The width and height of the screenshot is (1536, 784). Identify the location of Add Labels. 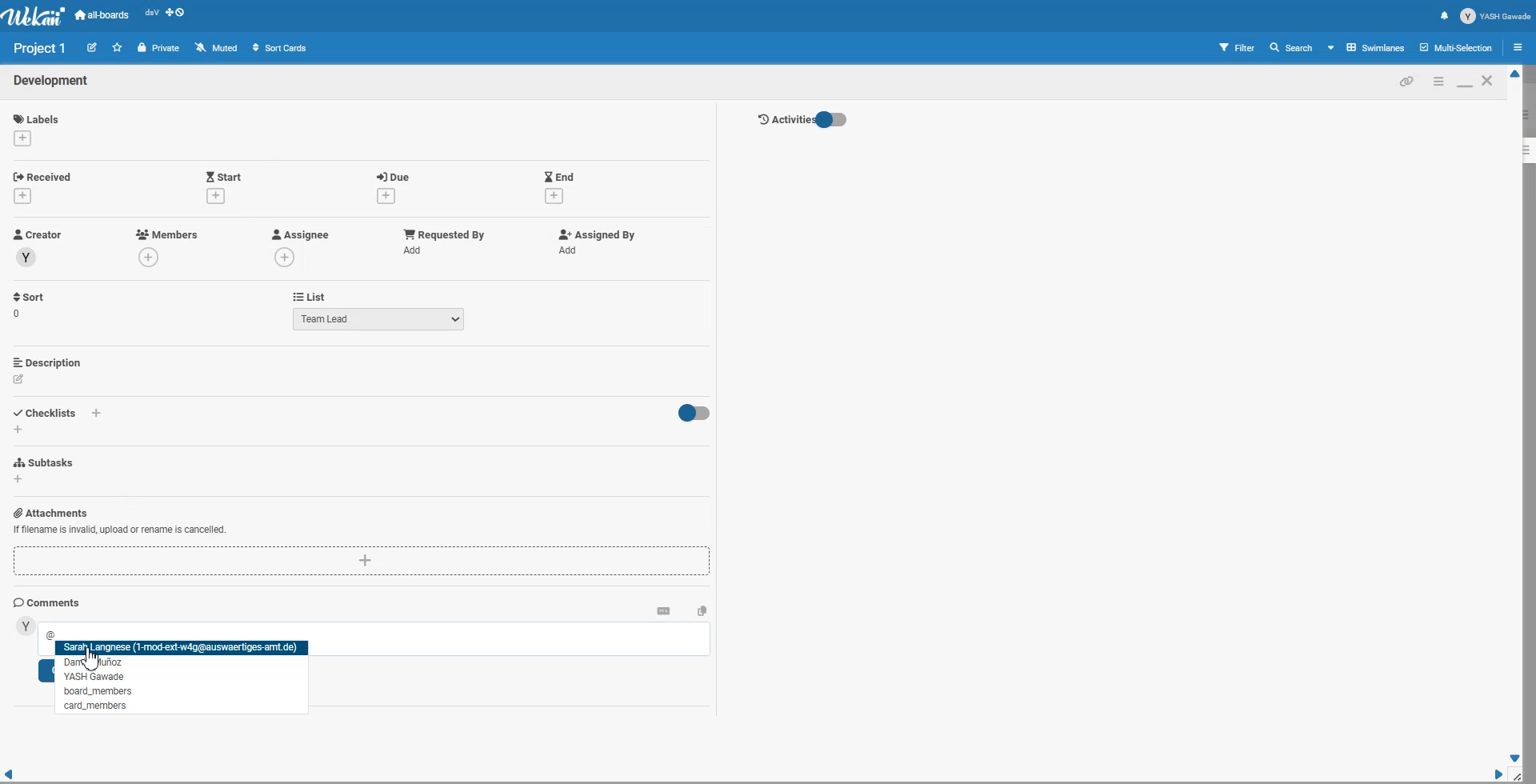
(38, 116).